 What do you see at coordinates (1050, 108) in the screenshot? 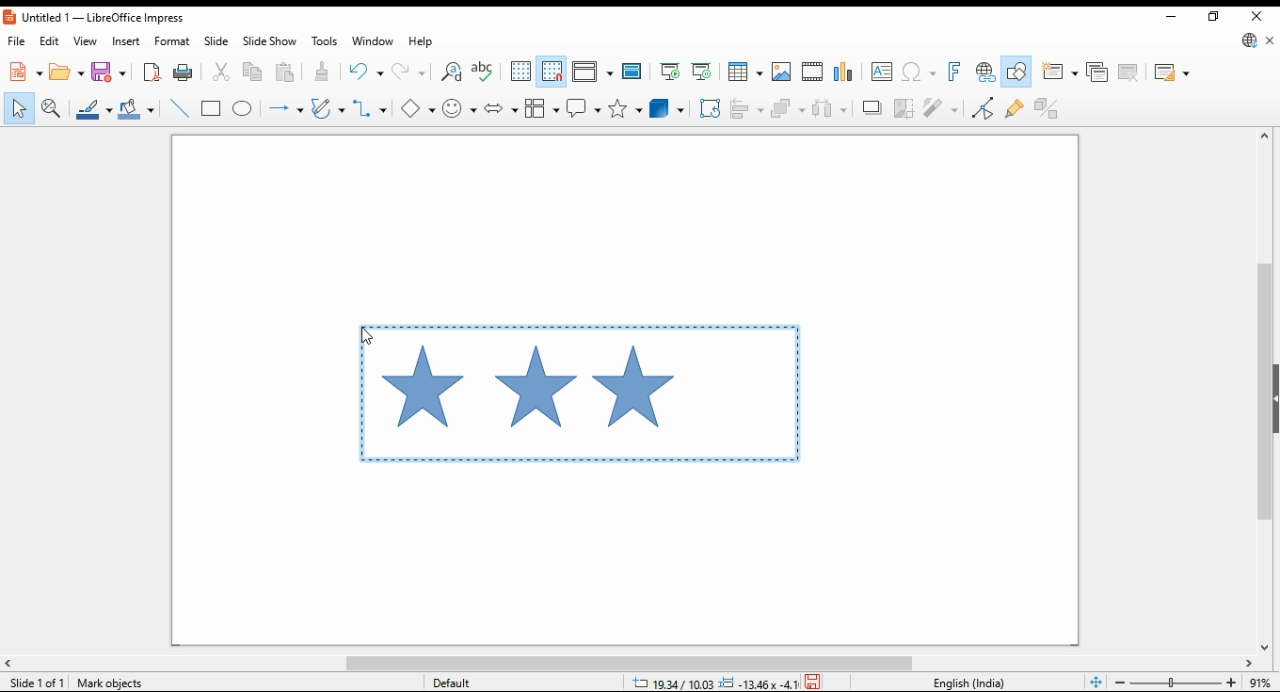
I see `toggle extrusions` at bounding box center [1050, 108].